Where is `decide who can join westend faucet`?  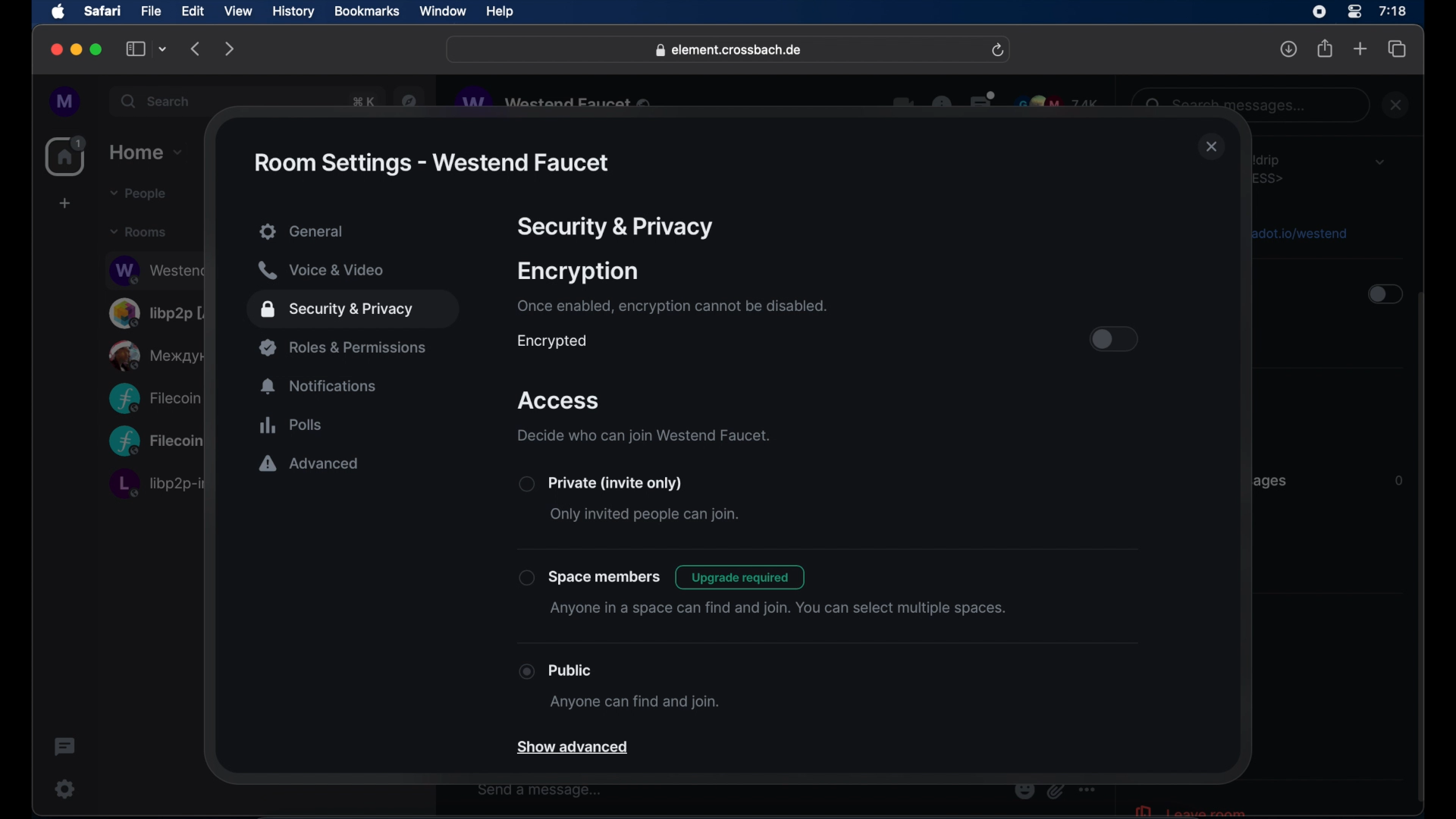 decide who can join westend faucet is located at coordinates (644, 436).